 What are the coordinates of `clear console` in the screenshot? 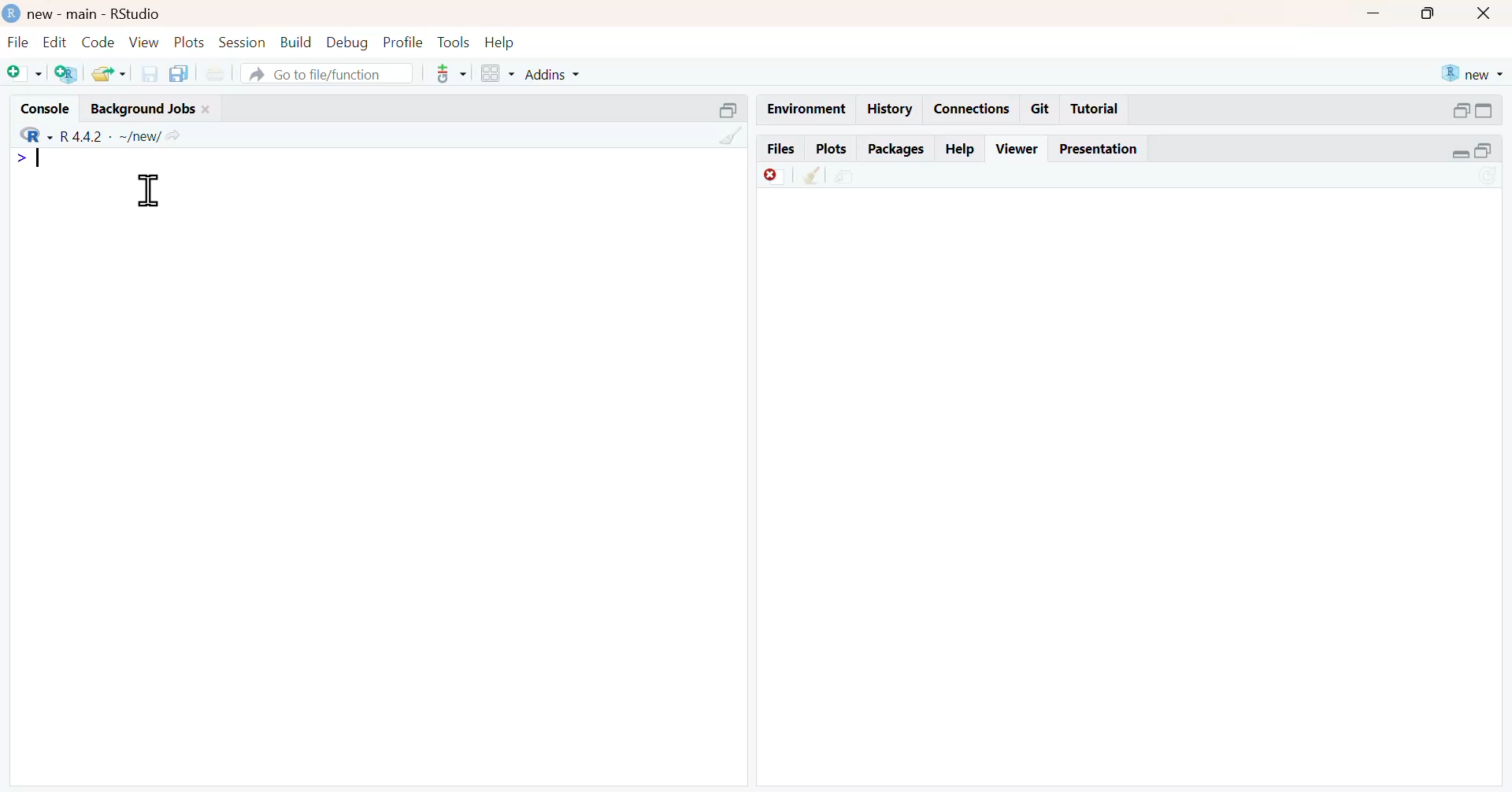 It's located at (730, 135).